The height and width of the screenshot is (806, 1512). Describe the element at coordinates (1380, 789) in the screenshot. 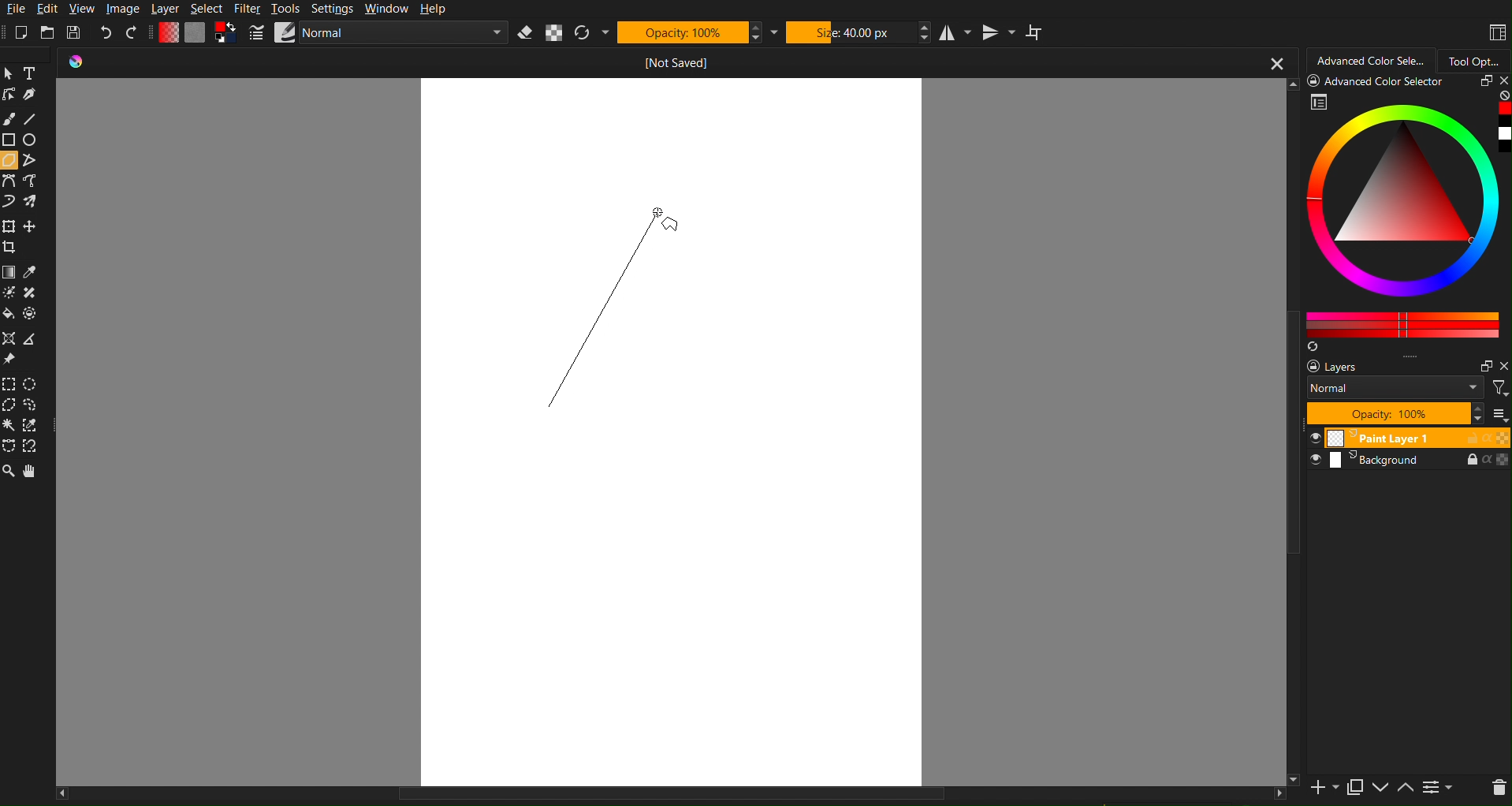

I see `move layer down` at that location.